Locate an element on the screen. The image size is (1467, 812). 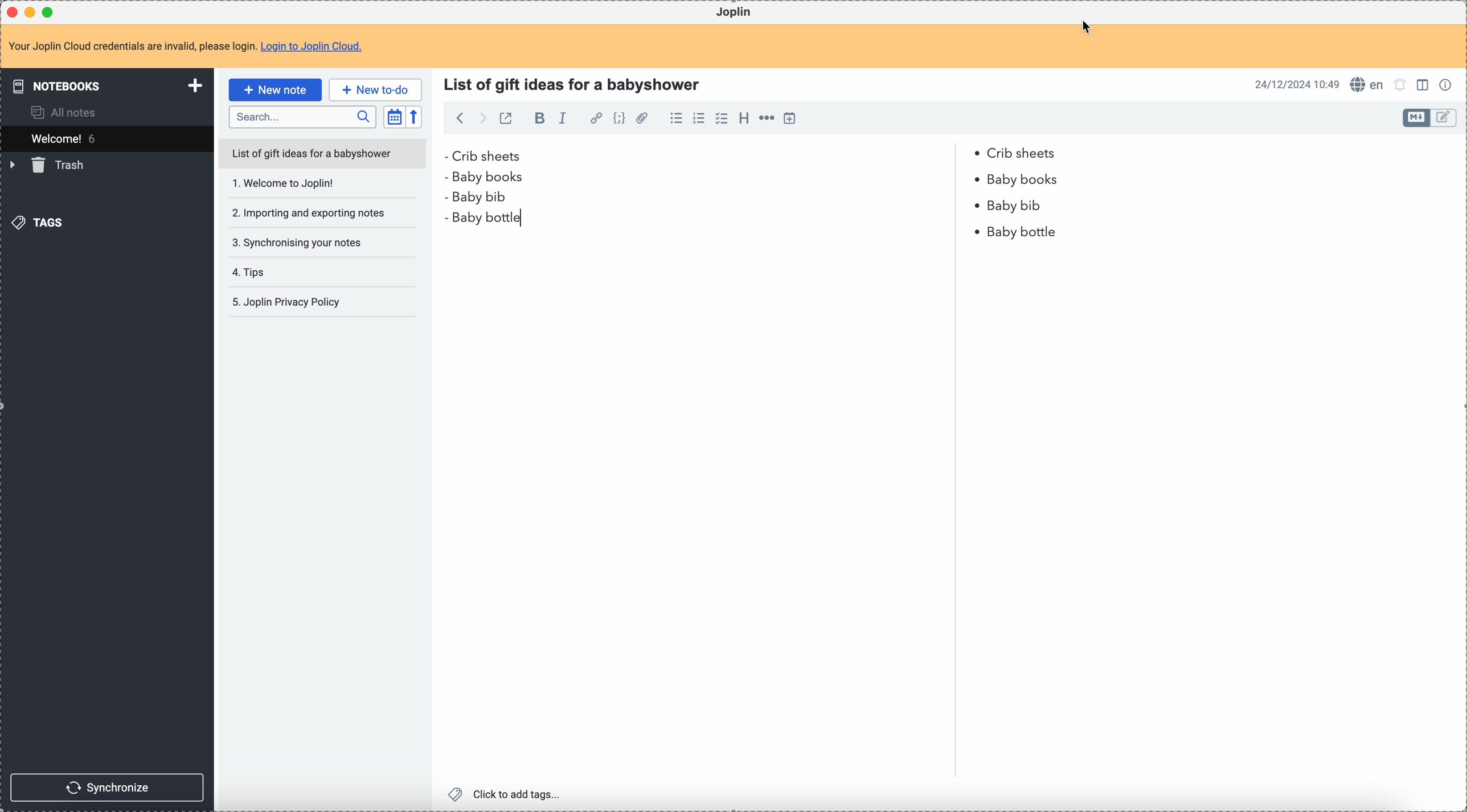
importing and exporting notes is located at coordinates (308, 212).